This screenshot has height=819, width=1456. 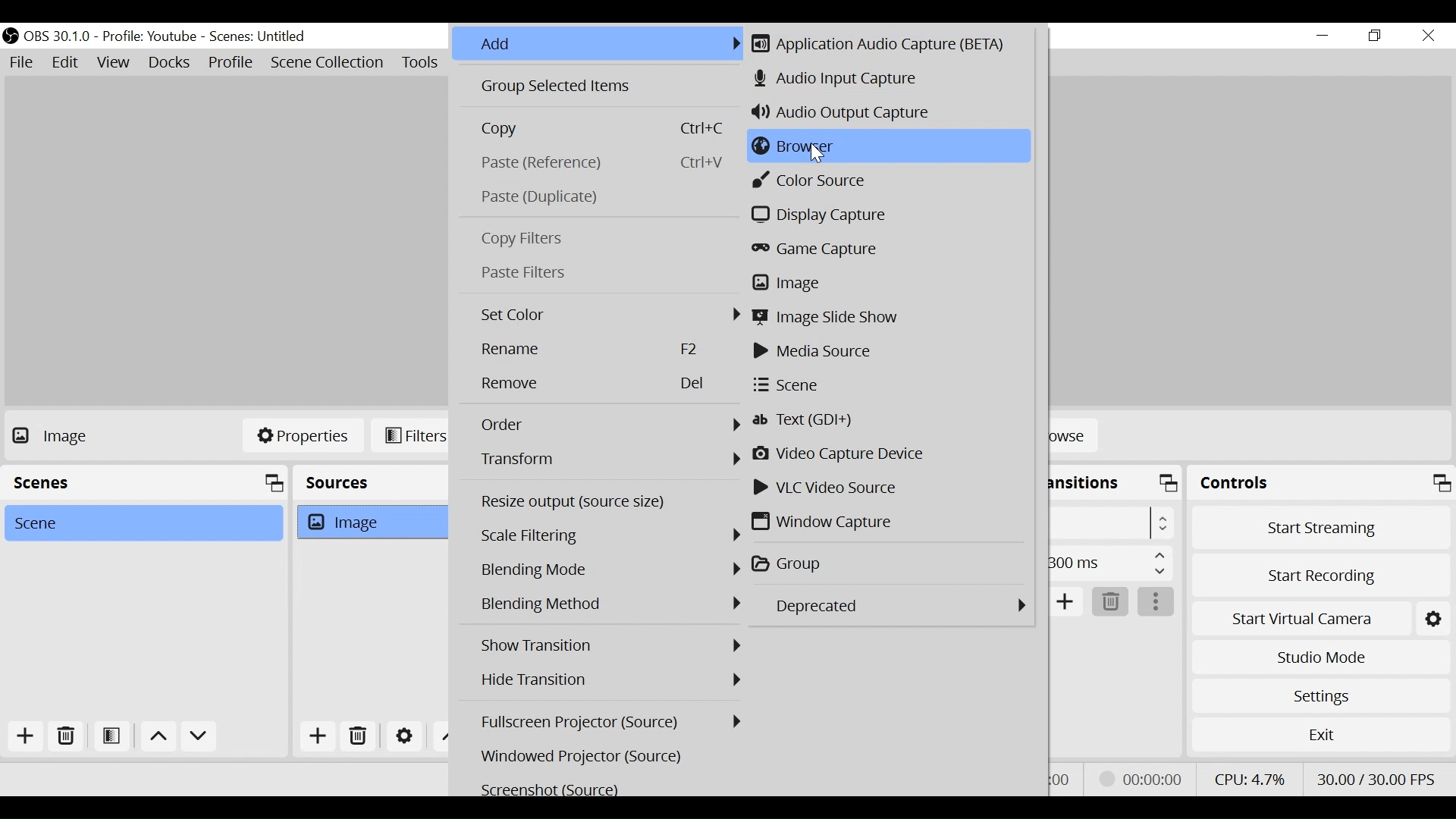 What do you see at coordinates (607, 162) in the screenshot?
I see `Paste(Reference)` at bounding box center [607, 162].